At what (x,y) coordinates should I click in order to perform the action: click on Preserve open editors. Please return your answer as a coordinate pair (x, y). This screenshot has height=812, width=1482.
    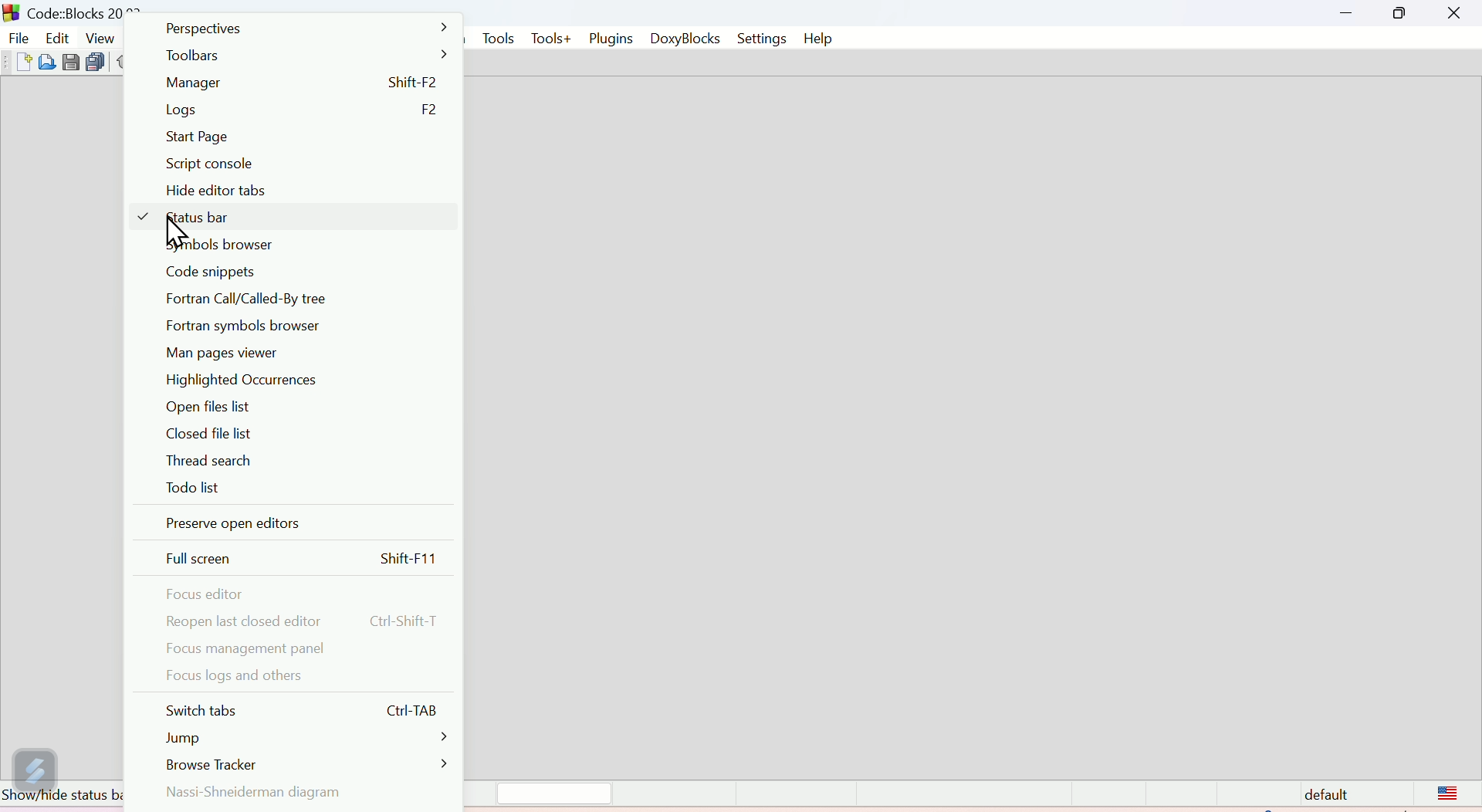
    Looking at the image, I should click on (237, 520).